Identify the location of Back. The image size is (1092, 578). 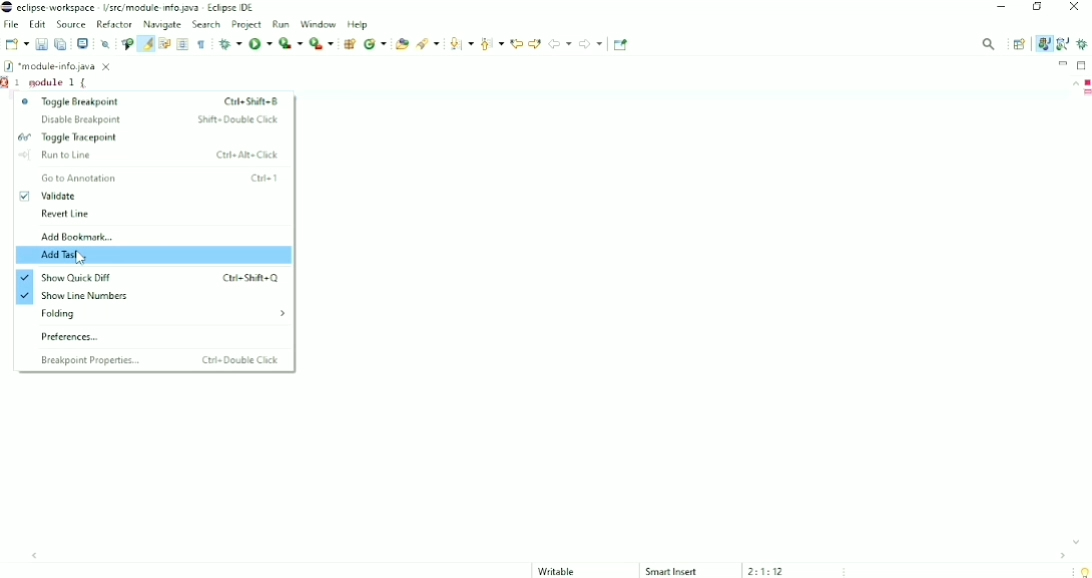
(560, 43).